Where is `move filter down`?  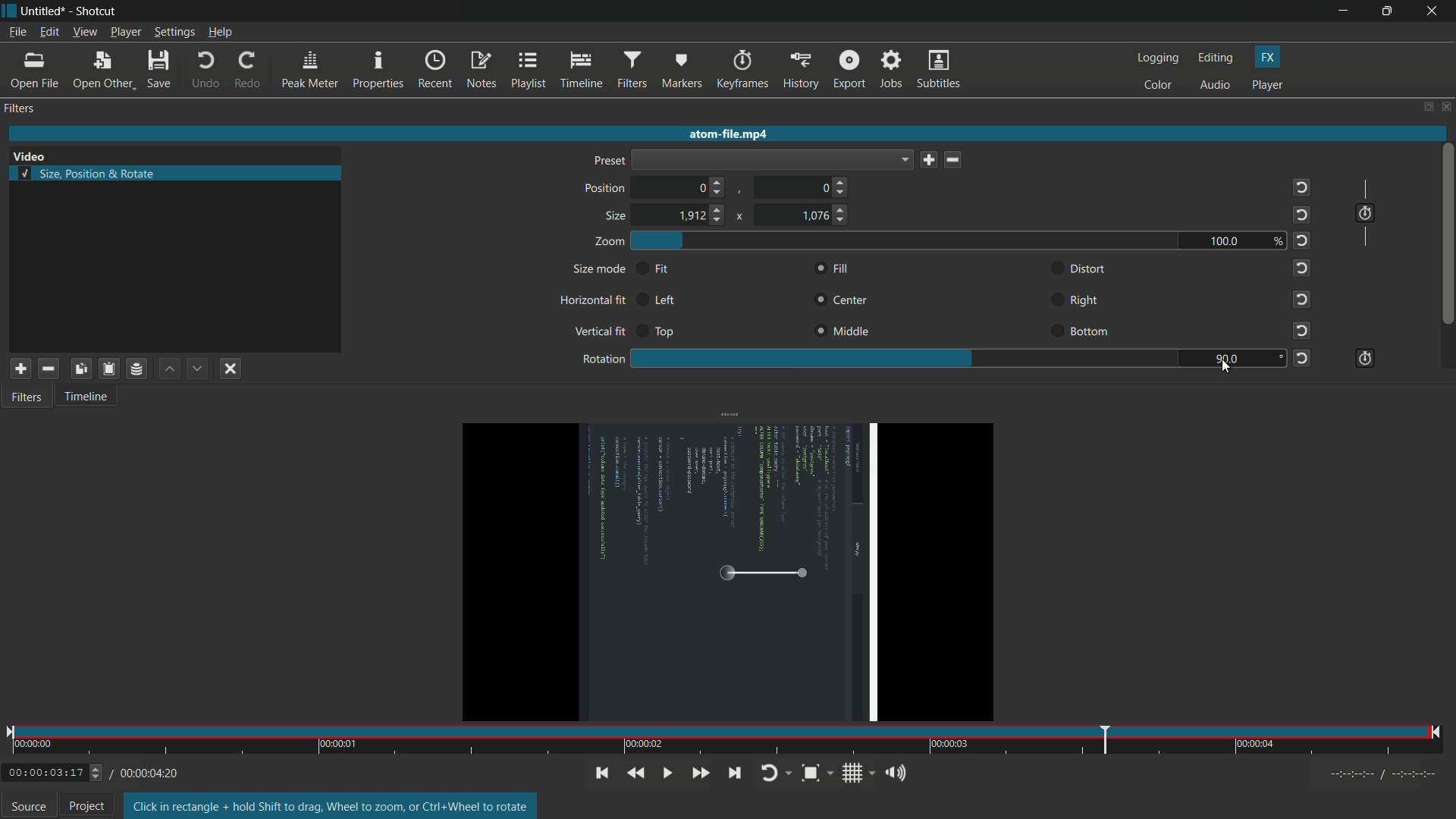
move filter down is located at coordinates (198, 369).